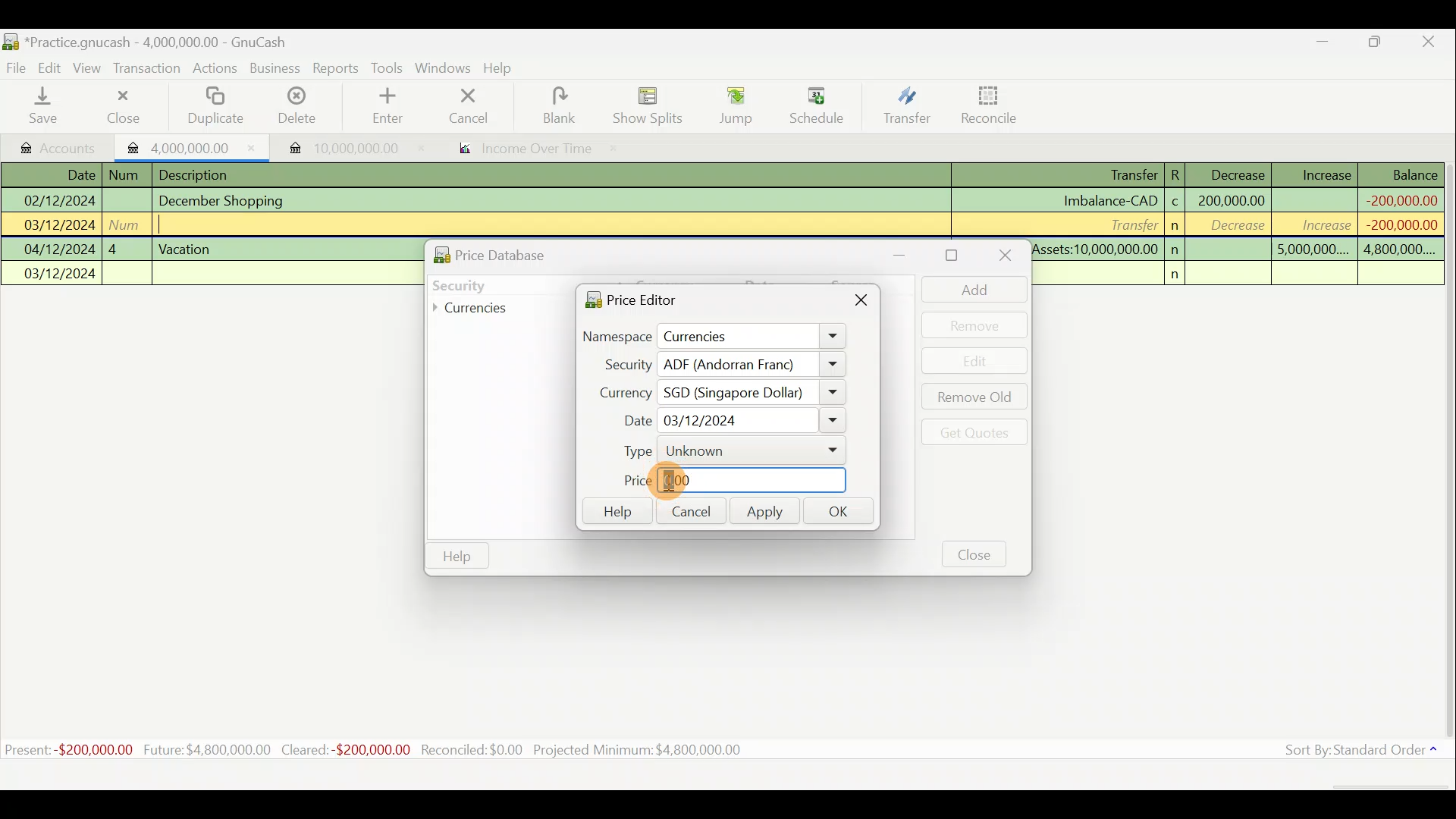  Describe the element at coordinates (863, 303) in the screenshot. I see `Close` at that location.